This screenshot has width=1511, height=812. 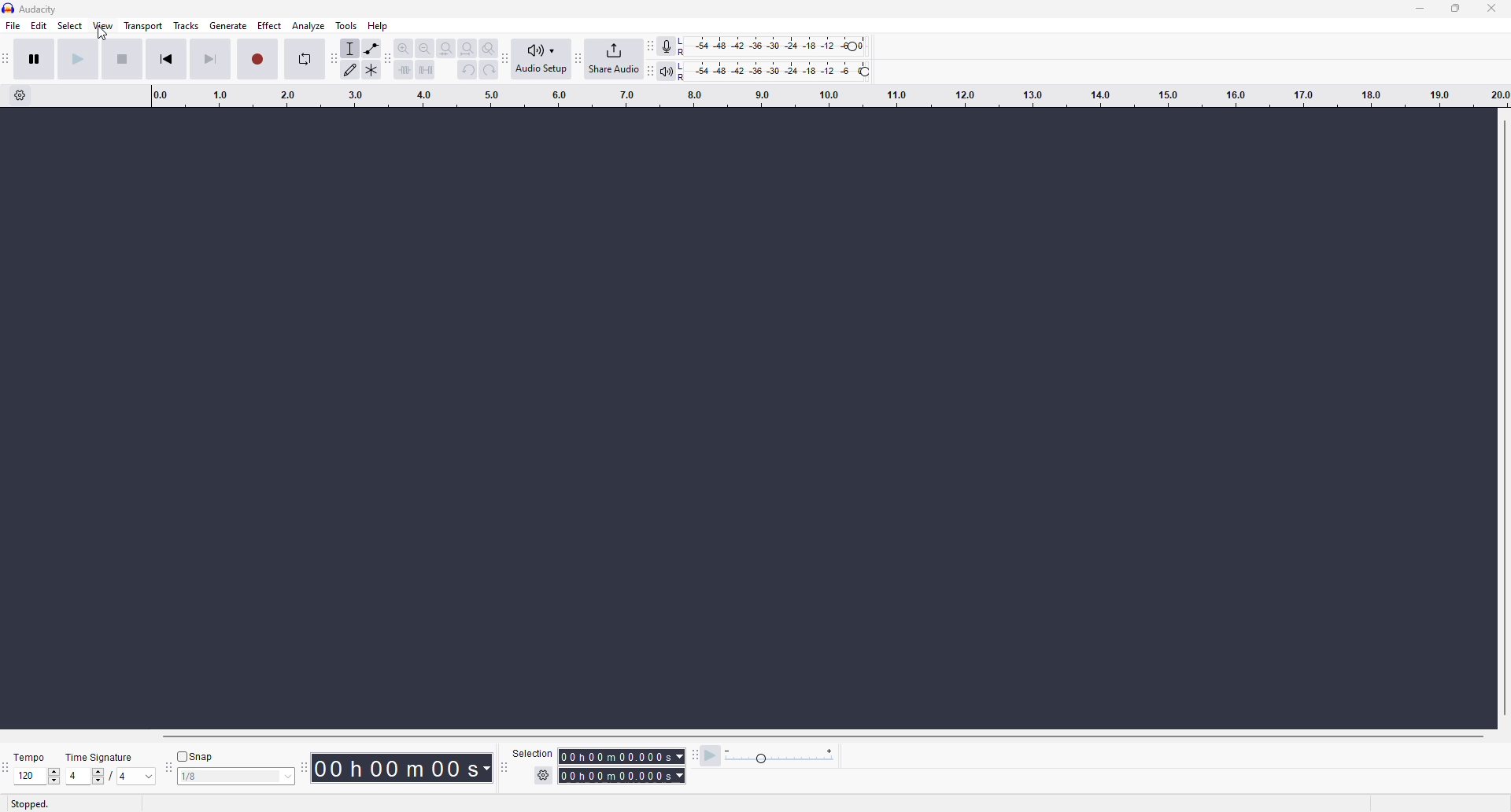 What do you see at coordinates (194, 755) in the screenshot?
I see `snap` at bounding box center [194, 755].